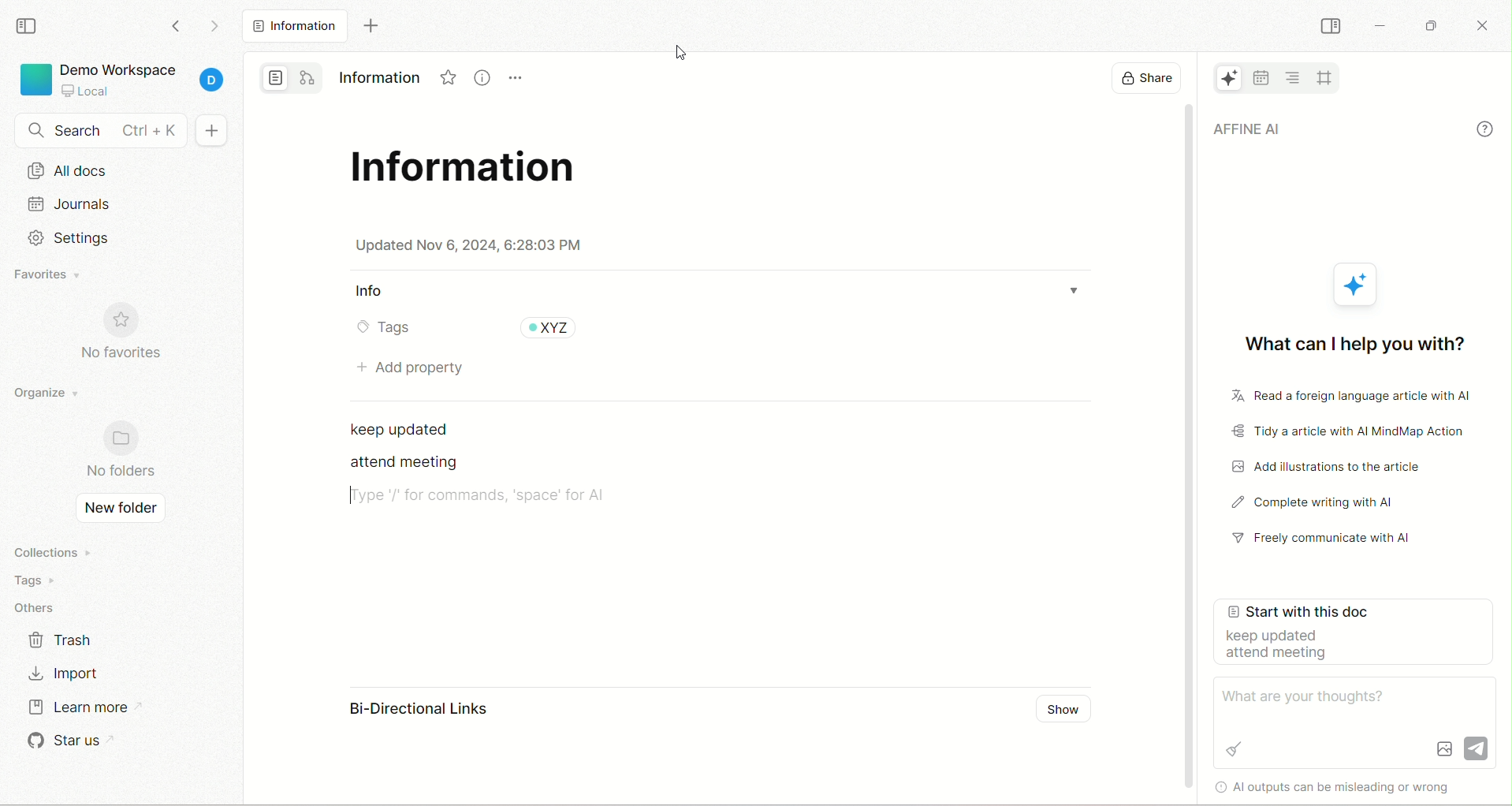 Image resolution: width=1512 pixels, height=806 pixels. I want to click on demo workspace, so click(117, 67).